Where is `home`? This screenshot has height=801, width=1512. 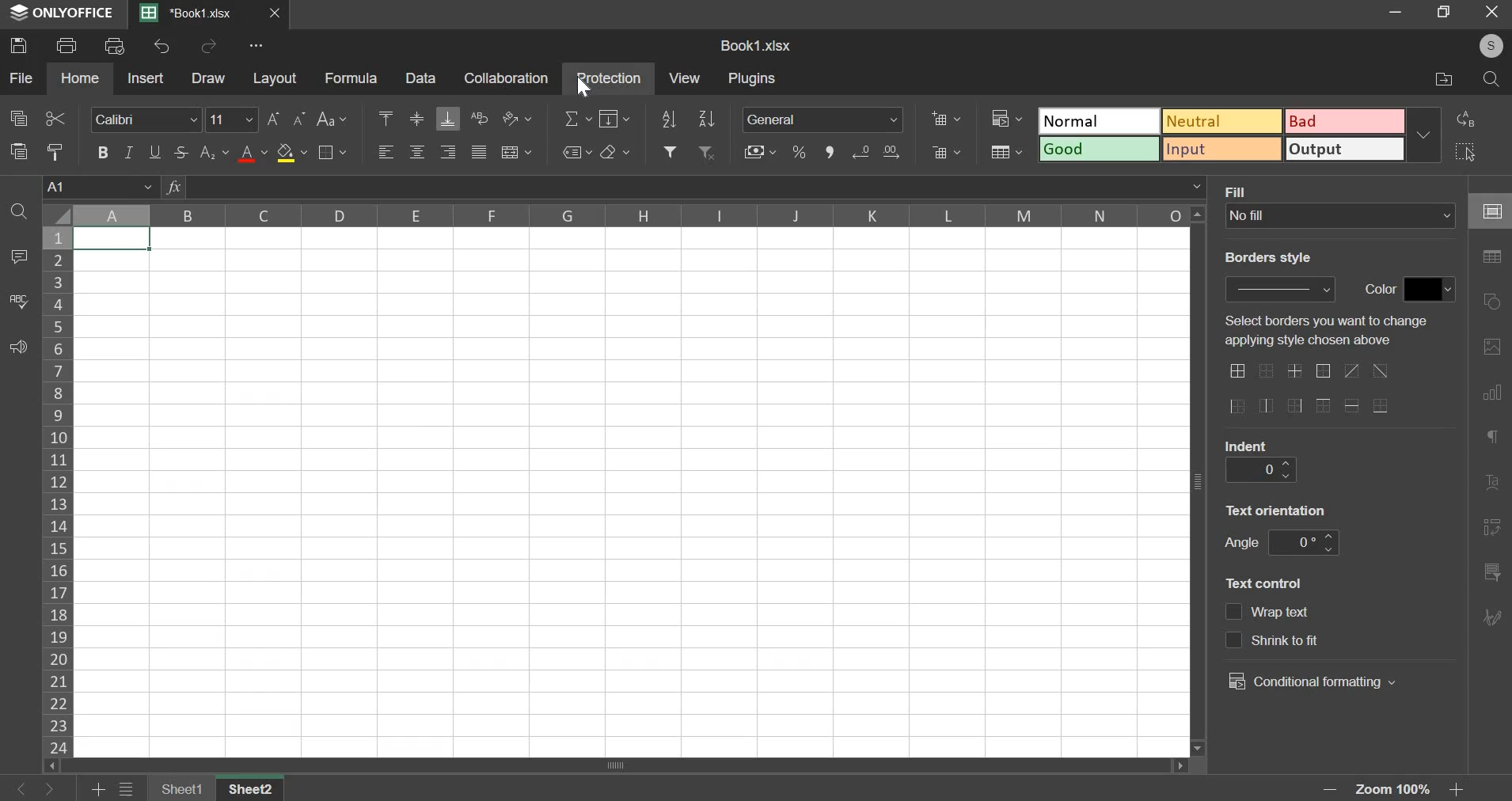 home is located at coordinates (81, 78).